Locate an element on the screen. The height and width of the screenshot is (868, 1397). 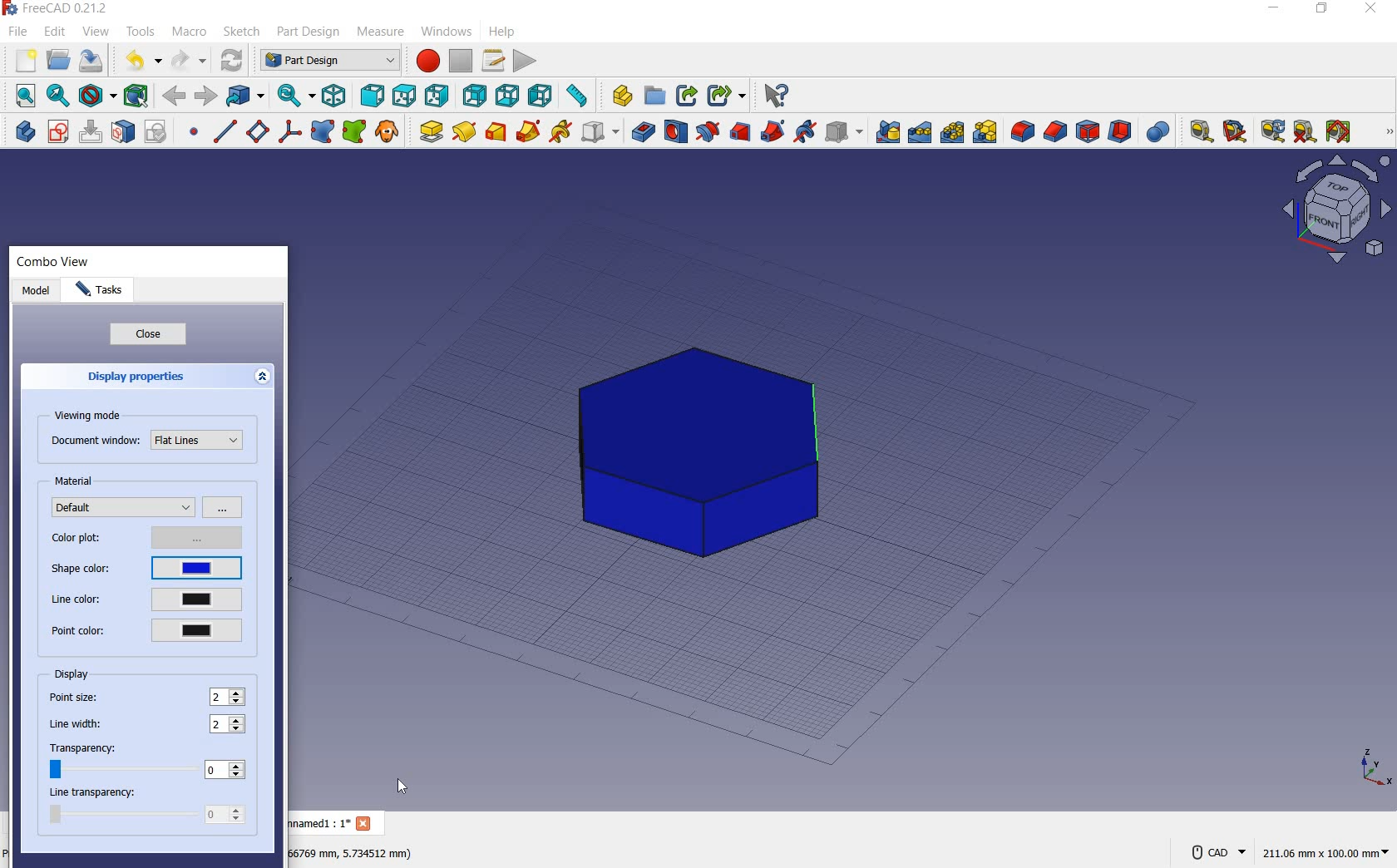
draft is located at coordinates (1088, 133).